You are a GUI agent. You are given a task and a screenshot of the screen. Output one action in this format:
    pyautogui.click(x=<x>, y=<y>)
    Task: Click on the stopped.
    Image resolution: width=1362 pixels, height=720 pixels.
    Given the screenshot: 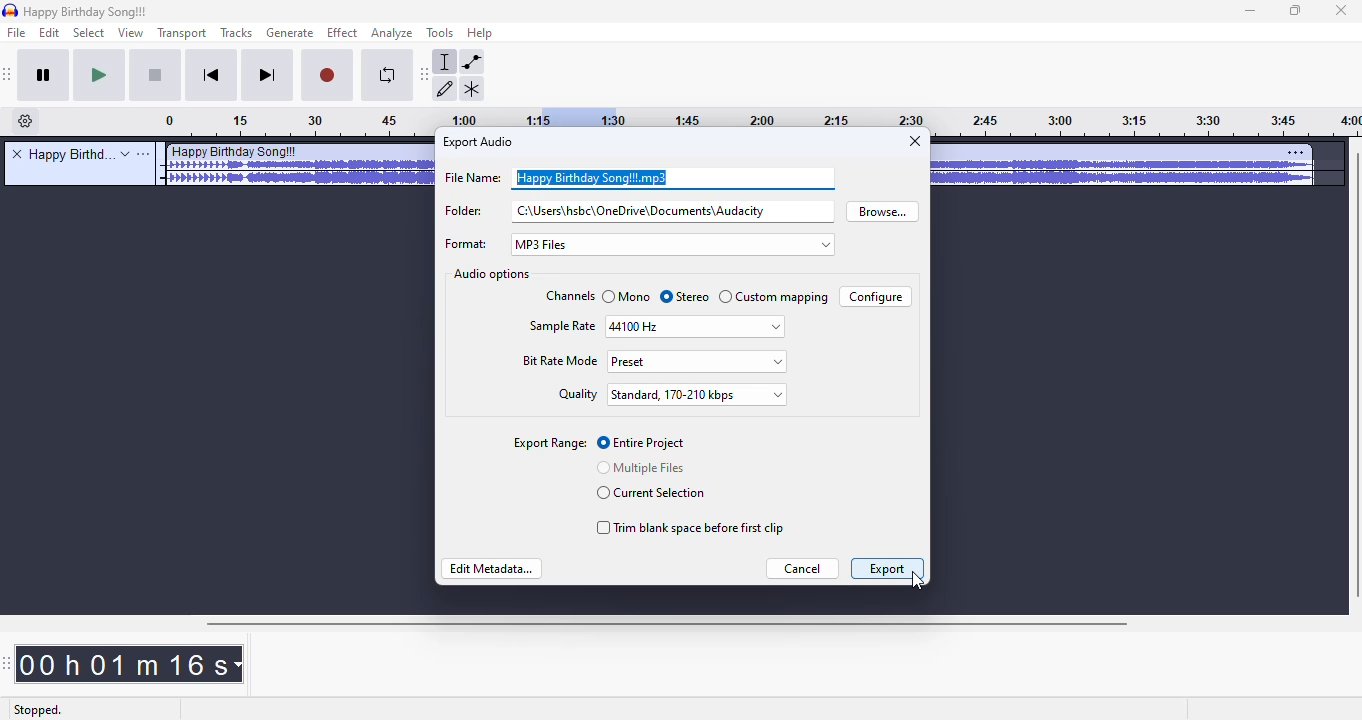 What is the action you would take?
    pyautogui.click(x=37, y=711)
    